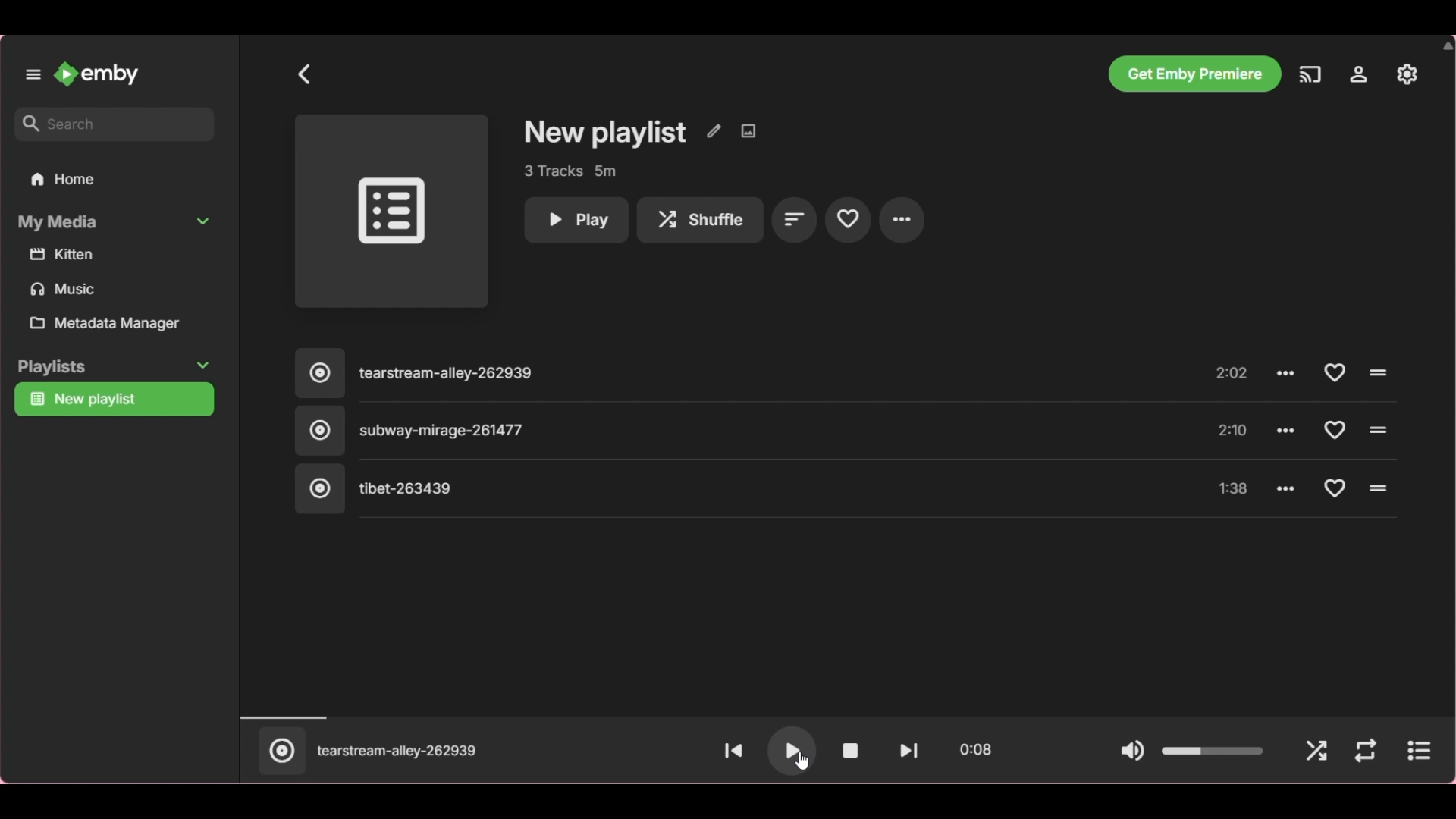 This screenshot has height=819, width=1456. I want to click on Duration of music played changed, so click(843, 717).